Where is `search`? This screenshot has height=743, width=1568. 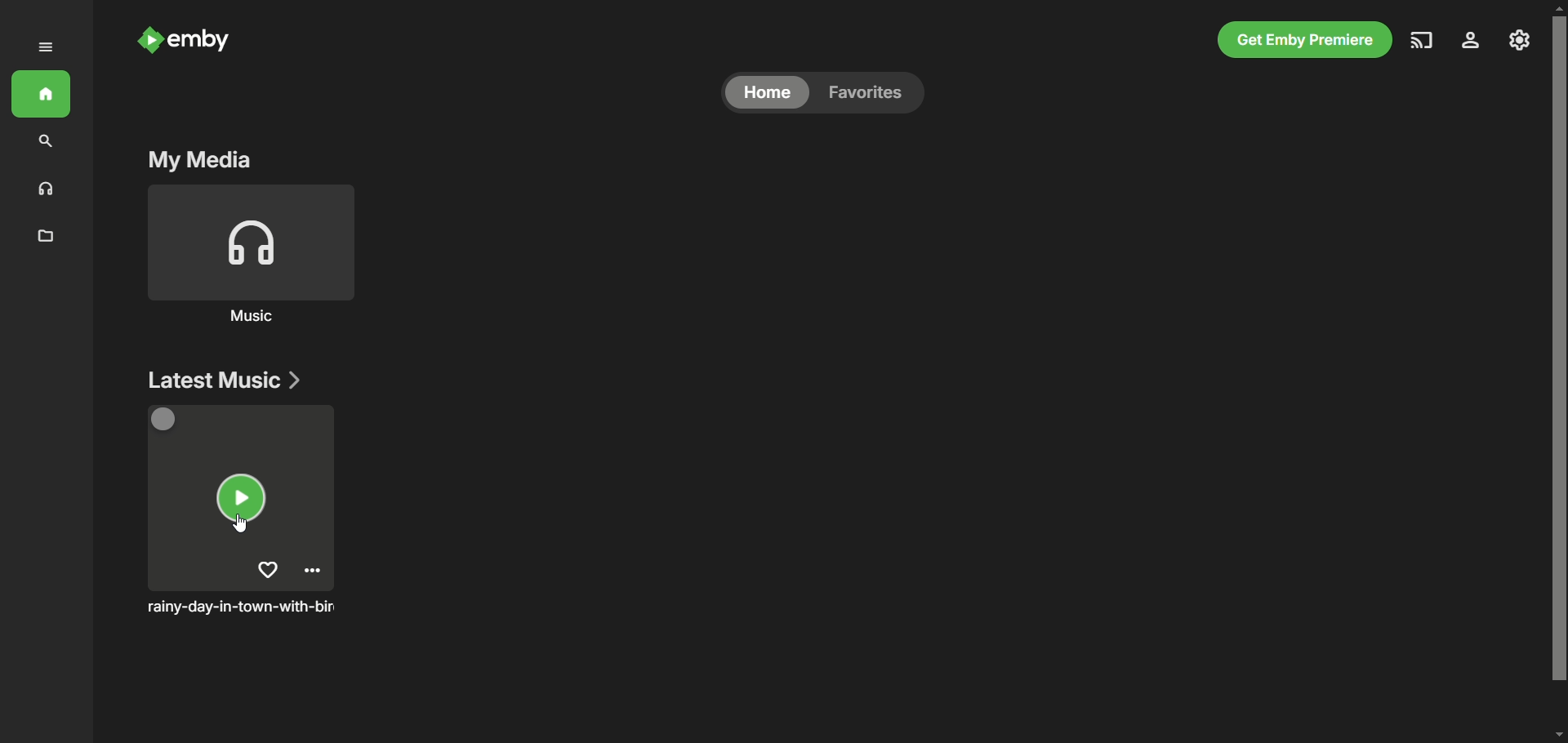 search is located at coordinates (43, 143).